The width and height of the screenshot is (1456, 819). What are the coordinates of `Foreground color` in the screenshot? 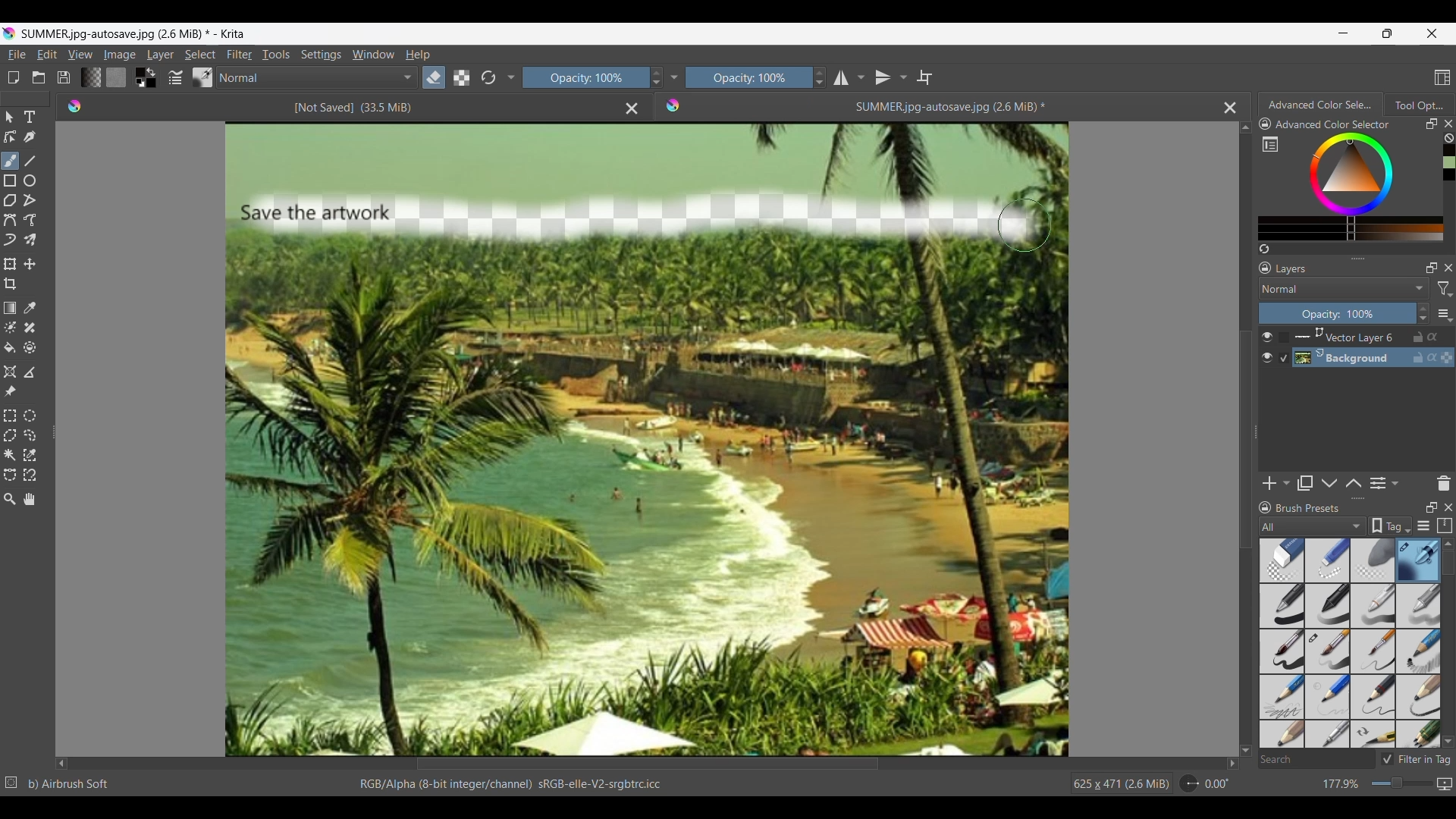 It's located at (137, 71).